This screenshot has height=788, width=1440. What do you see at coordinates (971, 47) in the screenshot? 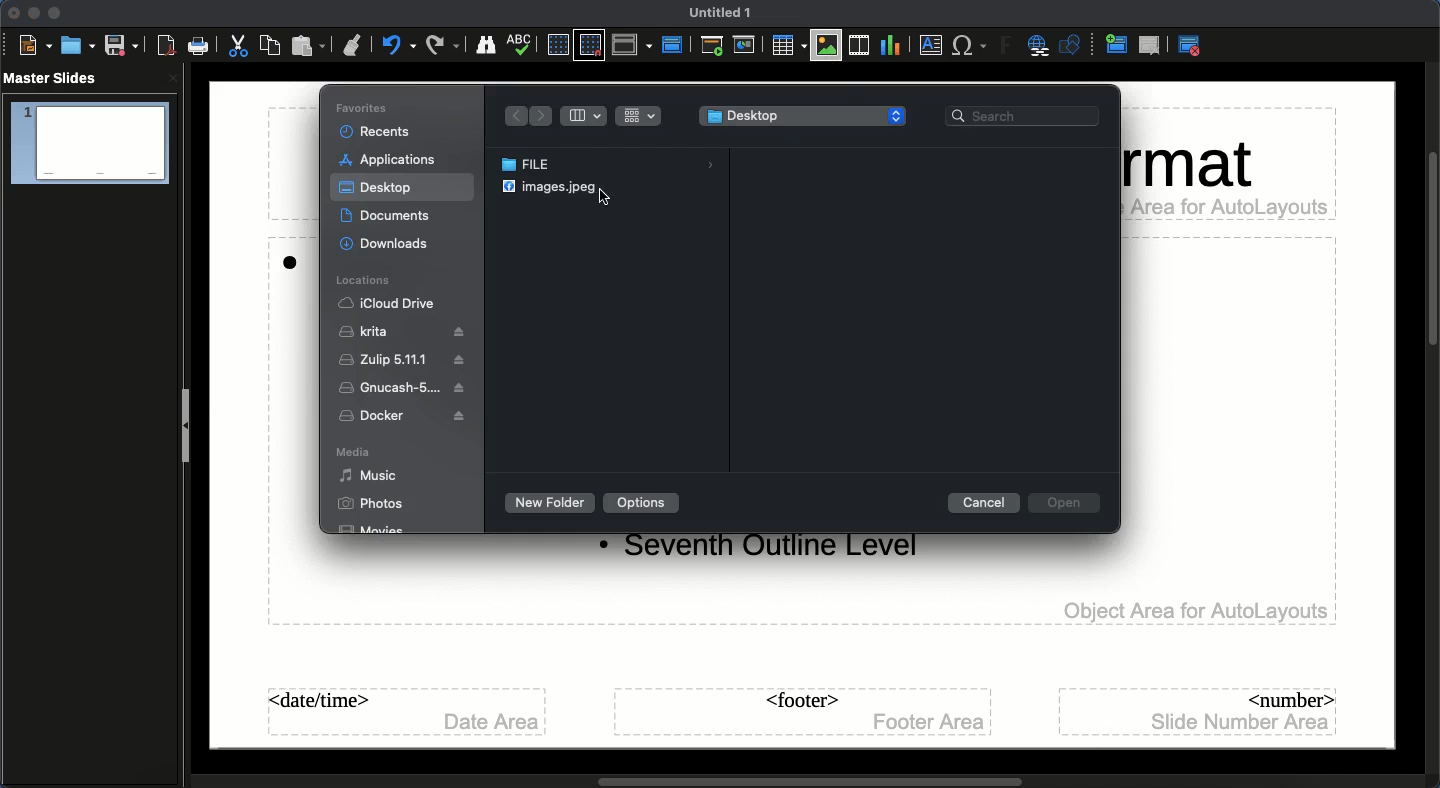
I see `Characters` at bounding box center [971, 47].